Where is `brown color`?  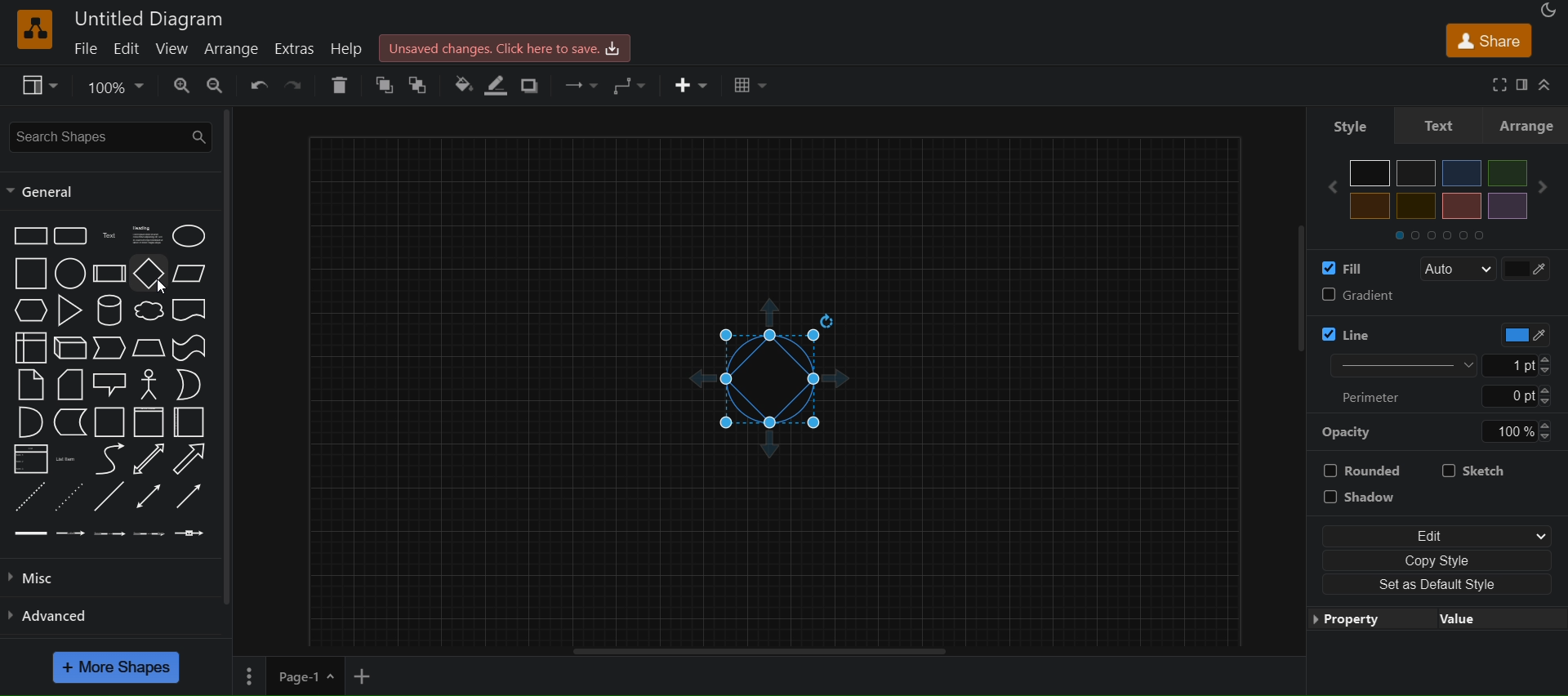 brown color is located at coordinates (1461, 206).